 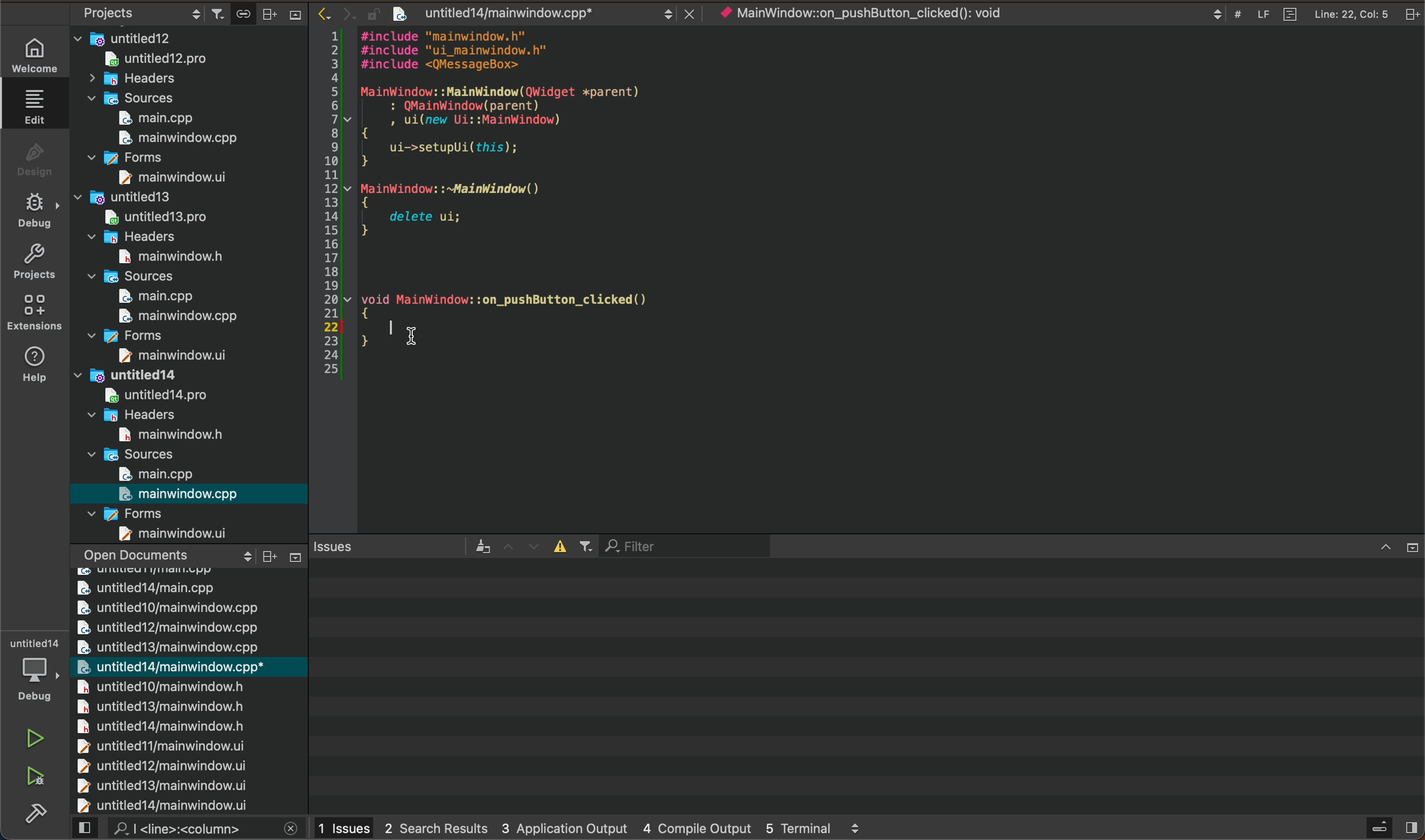 I want to click on forms, so click(x=136, y=512).